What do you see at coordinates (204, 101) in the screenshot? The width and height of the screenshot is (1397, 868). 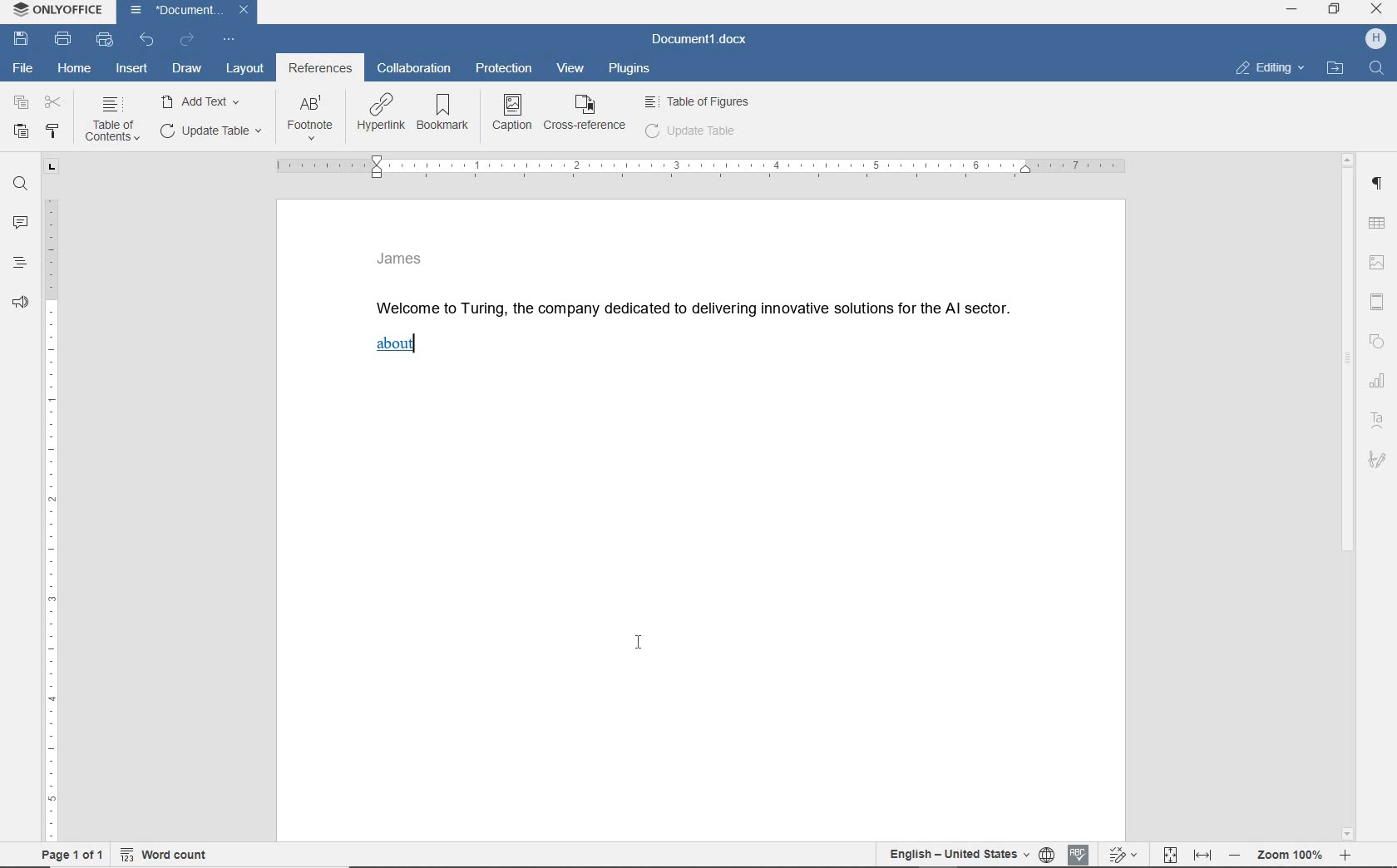 I see `ADD TEXT` at bounding box center [204, 101].